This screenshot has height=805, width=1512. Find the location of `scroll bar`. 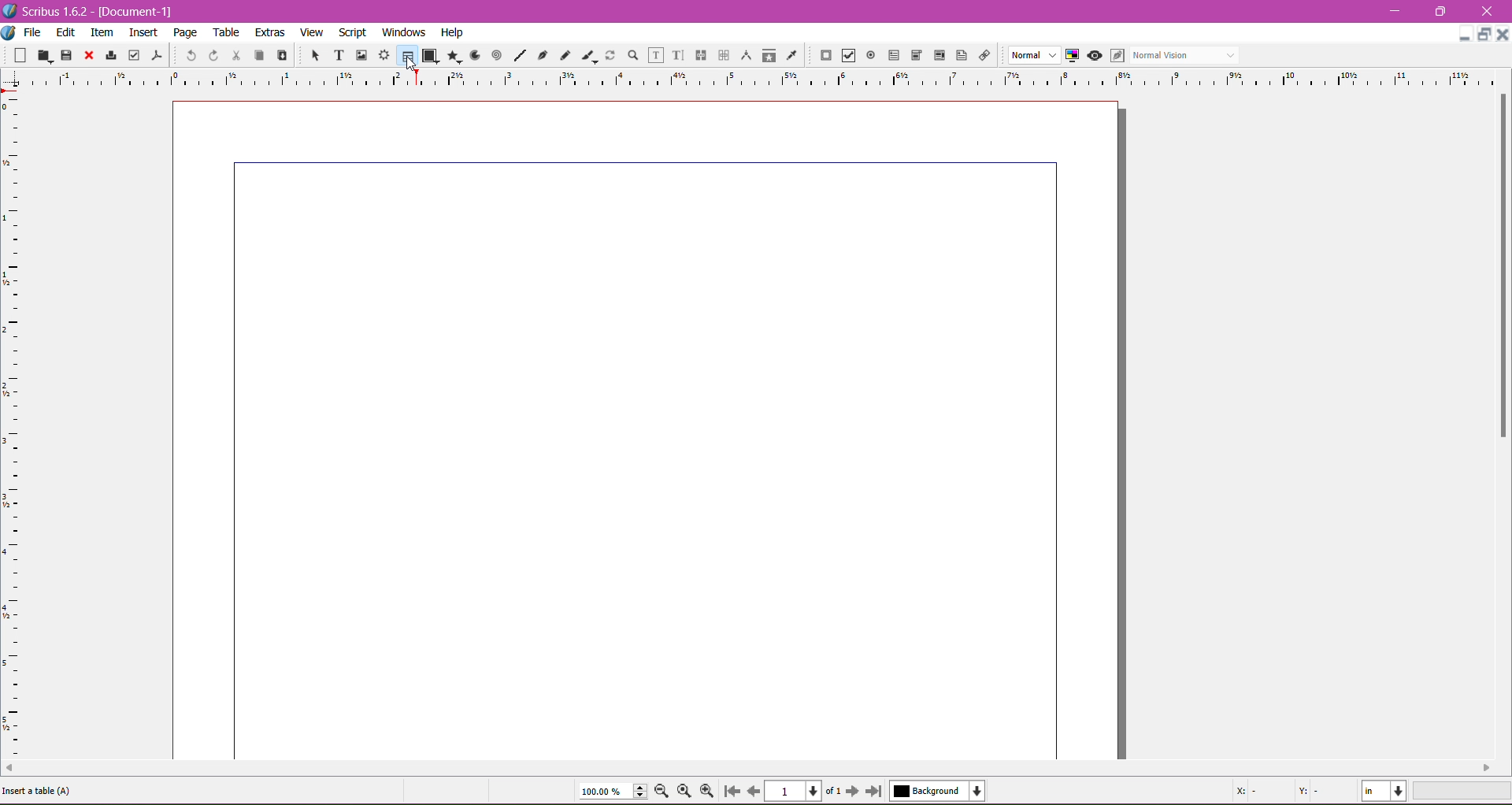

scroll bar is located at coordinates (748, 768).